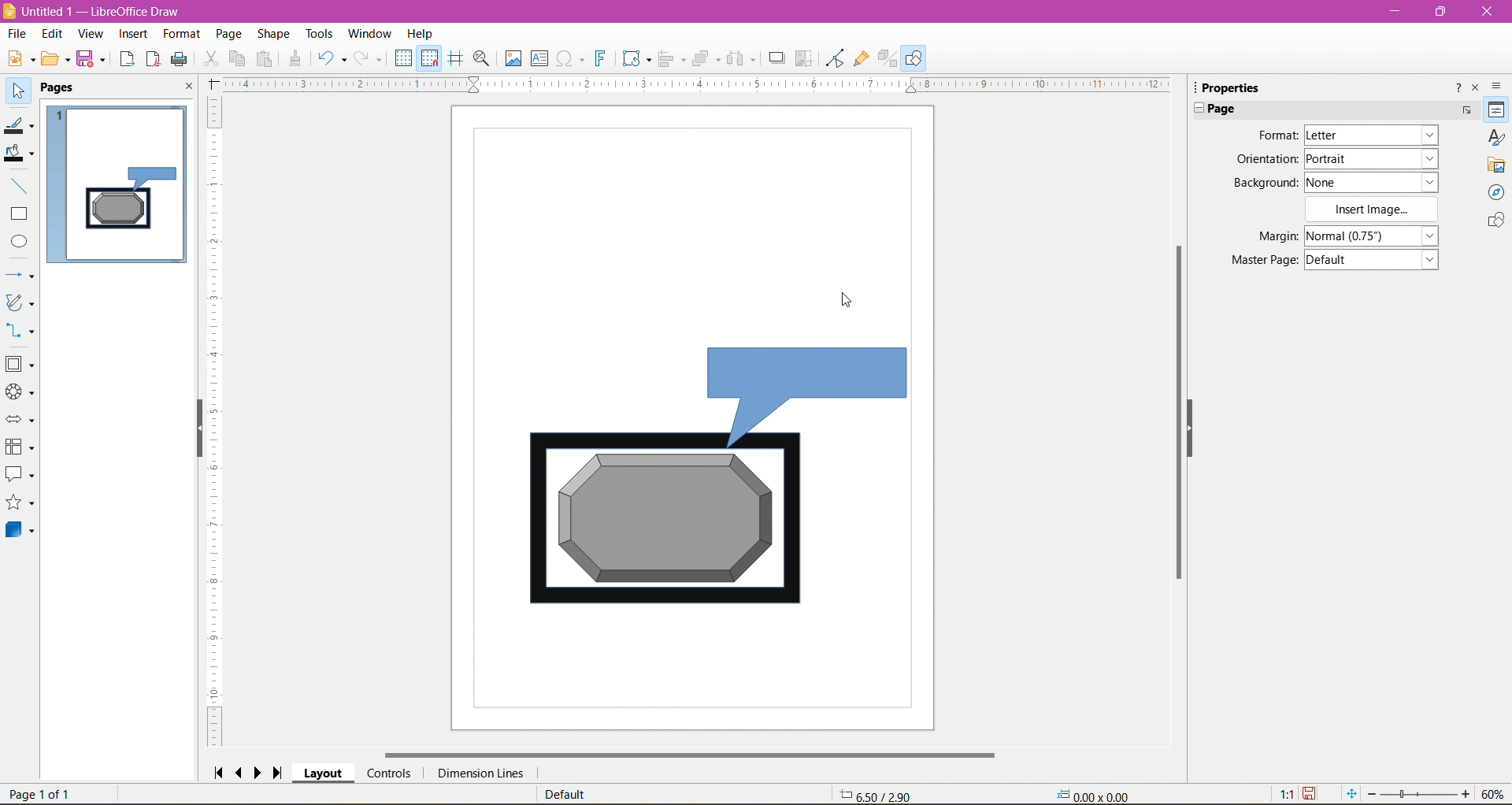 Image resolution: width=1512 pixels, height=805 pixels. Describe the element at coordinates (421, 33) in the screenshot. I see `Help` at that location.